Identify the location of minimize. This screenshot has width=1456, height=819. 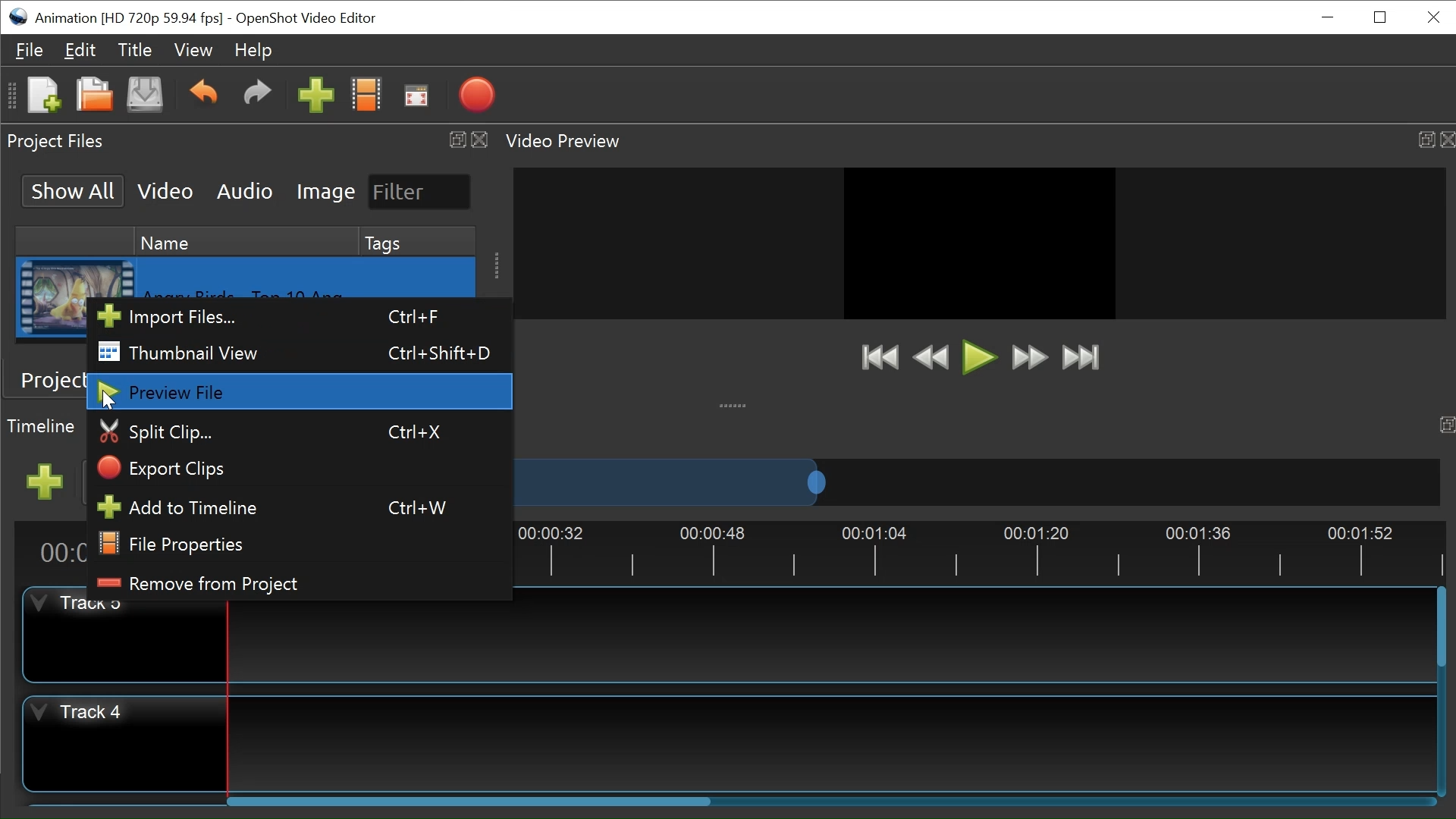
(1328, 16).